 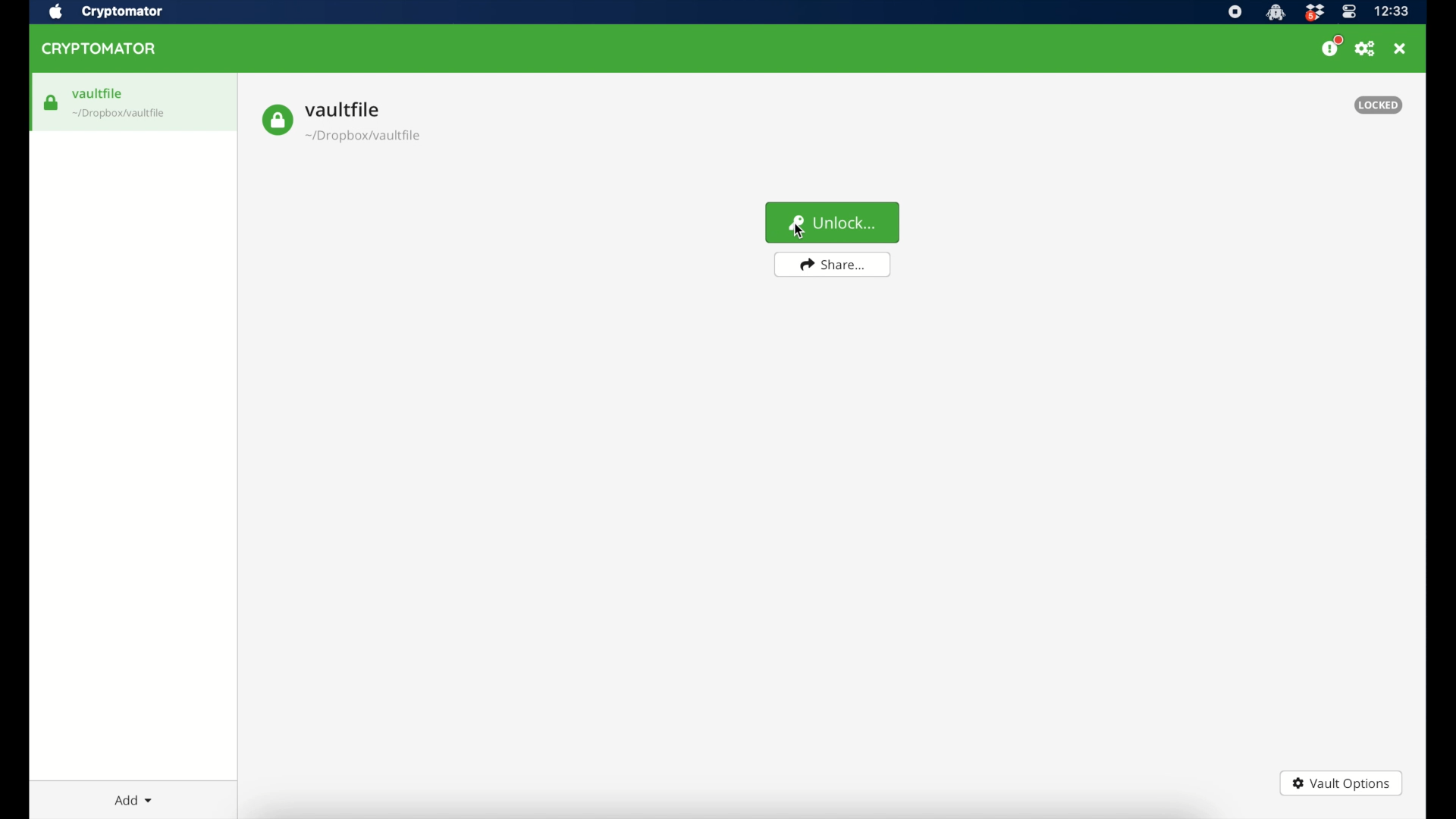 I want to click on preferences, so click(x=1366, y=49).